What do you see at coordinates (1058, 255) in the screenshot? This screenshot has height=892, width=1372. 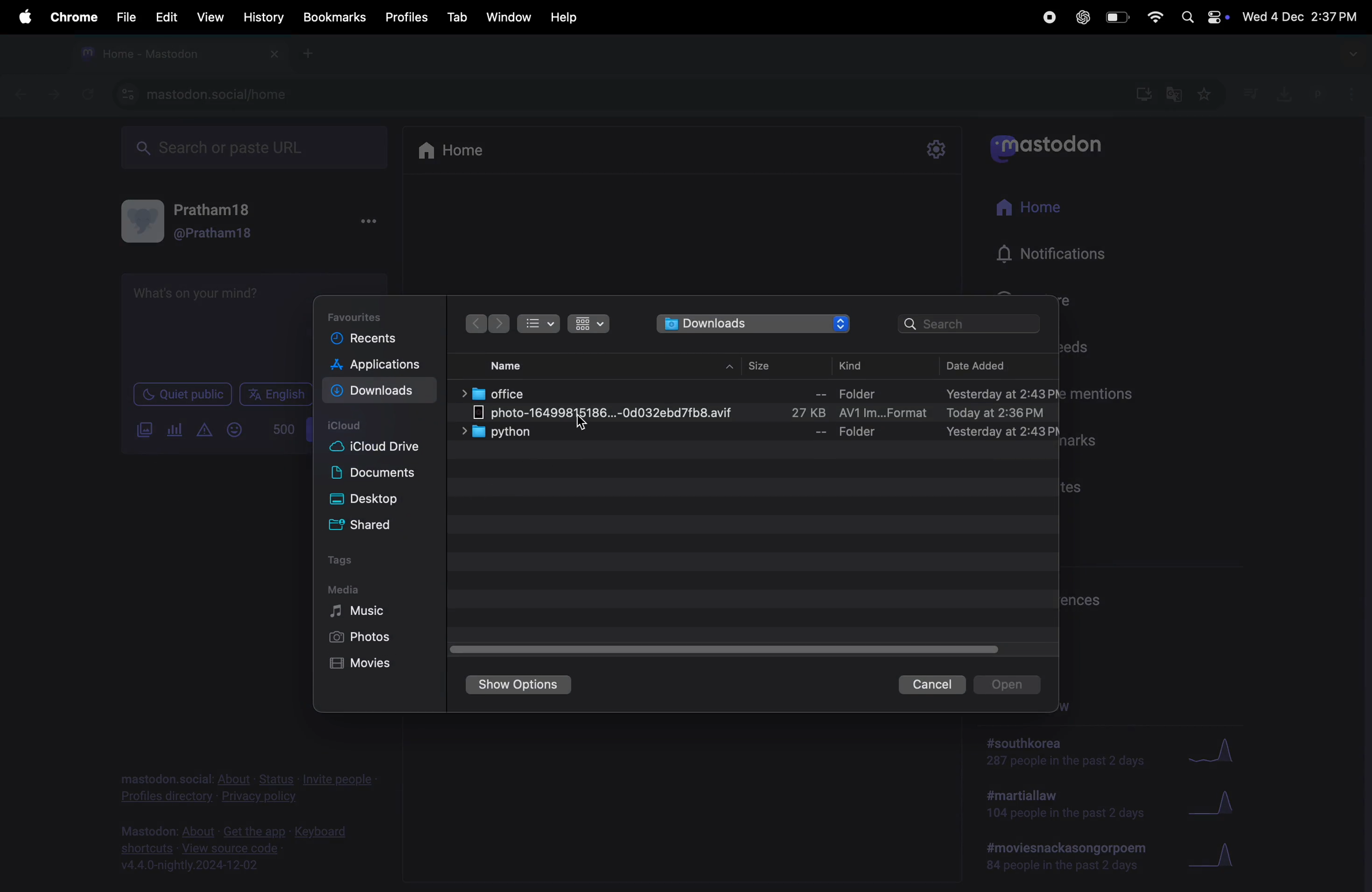 I see `notifications` at bounding box center [1058, 255].